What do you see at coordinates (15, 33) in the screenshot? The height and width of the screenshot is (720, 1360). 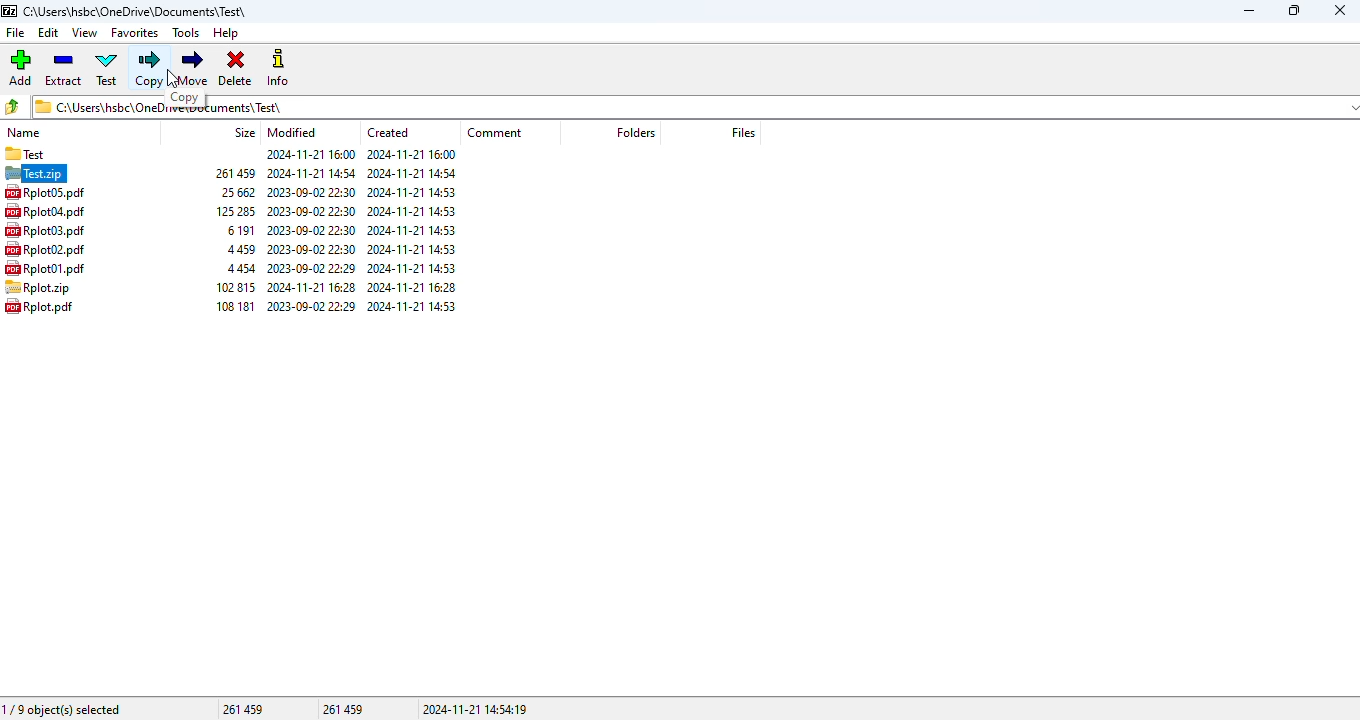 I see `file` at bounding box center [15, 33].